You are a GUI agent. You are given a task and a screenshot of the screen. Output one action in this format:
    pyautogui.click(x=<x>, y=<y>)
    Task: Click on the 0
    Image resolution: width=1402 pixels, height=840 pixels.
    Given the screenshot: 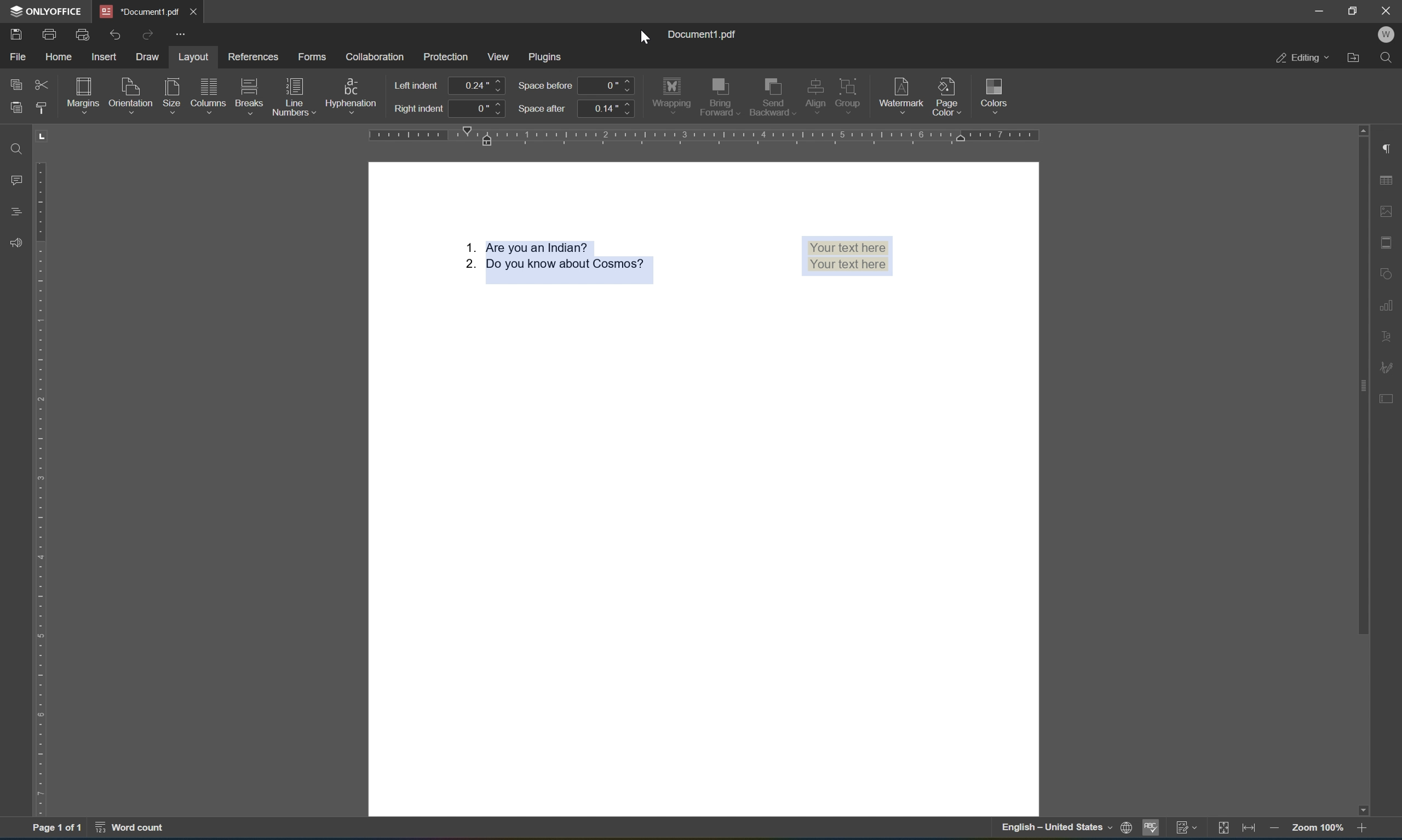 What is the action you would take?
    pyautogui.click(x=607, y=84)
    